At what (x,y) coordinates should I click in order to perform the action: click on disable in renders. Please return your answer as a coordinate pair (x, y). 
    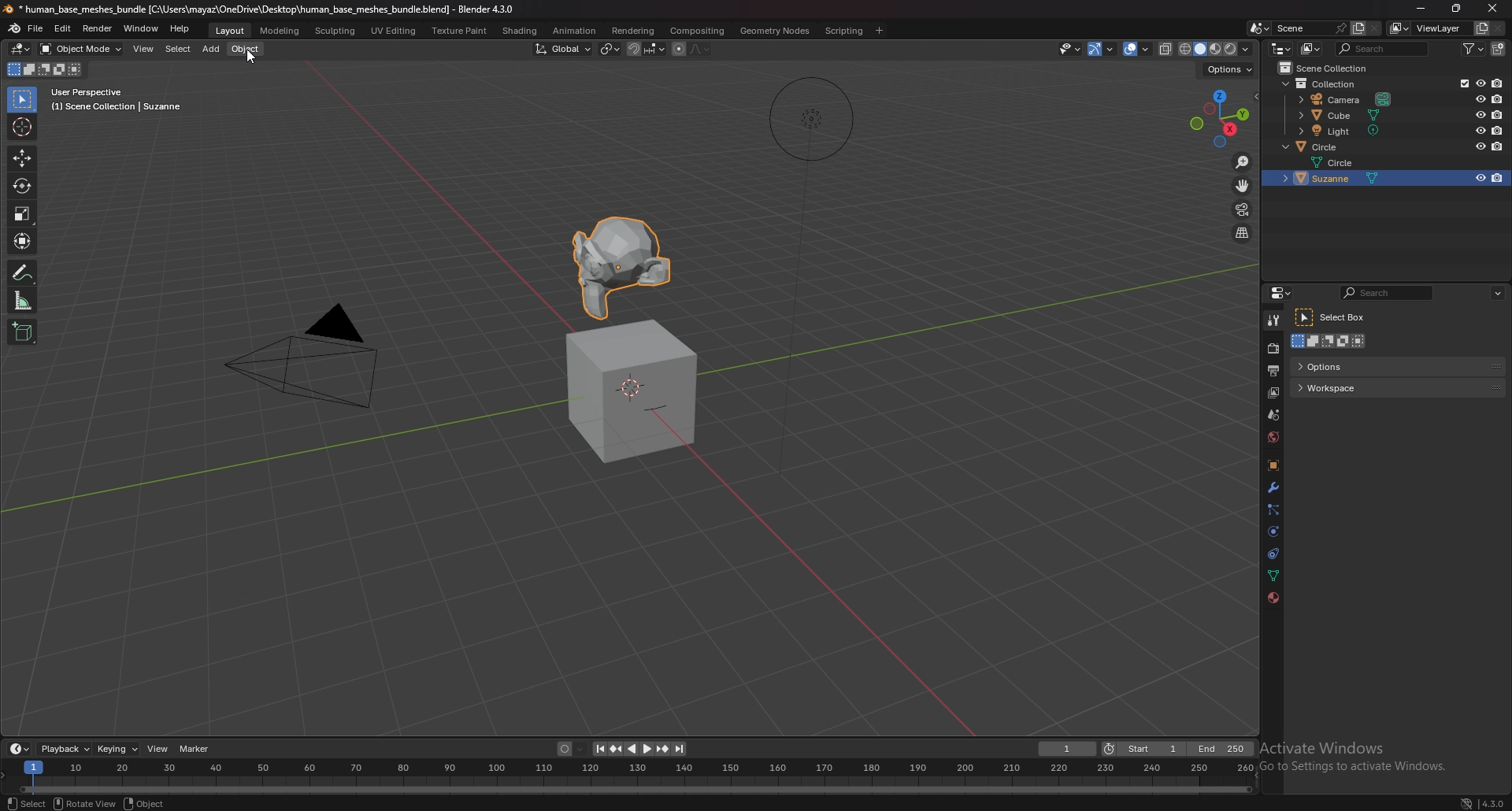
    Looking at the image, I should click on (1497, 83).